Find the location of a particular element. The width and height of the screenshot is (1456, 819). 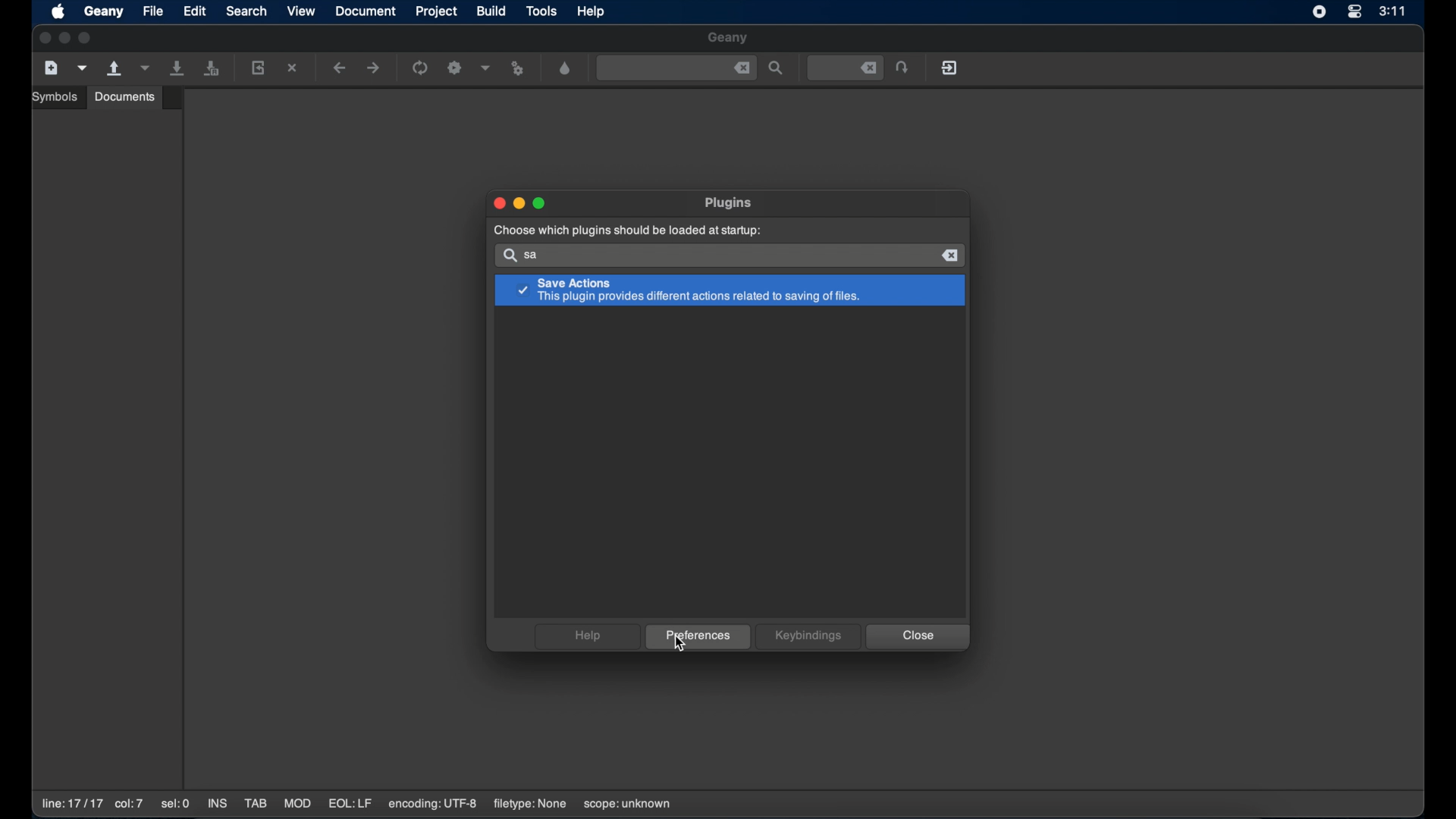

INS is located at coordinates (218, 805).